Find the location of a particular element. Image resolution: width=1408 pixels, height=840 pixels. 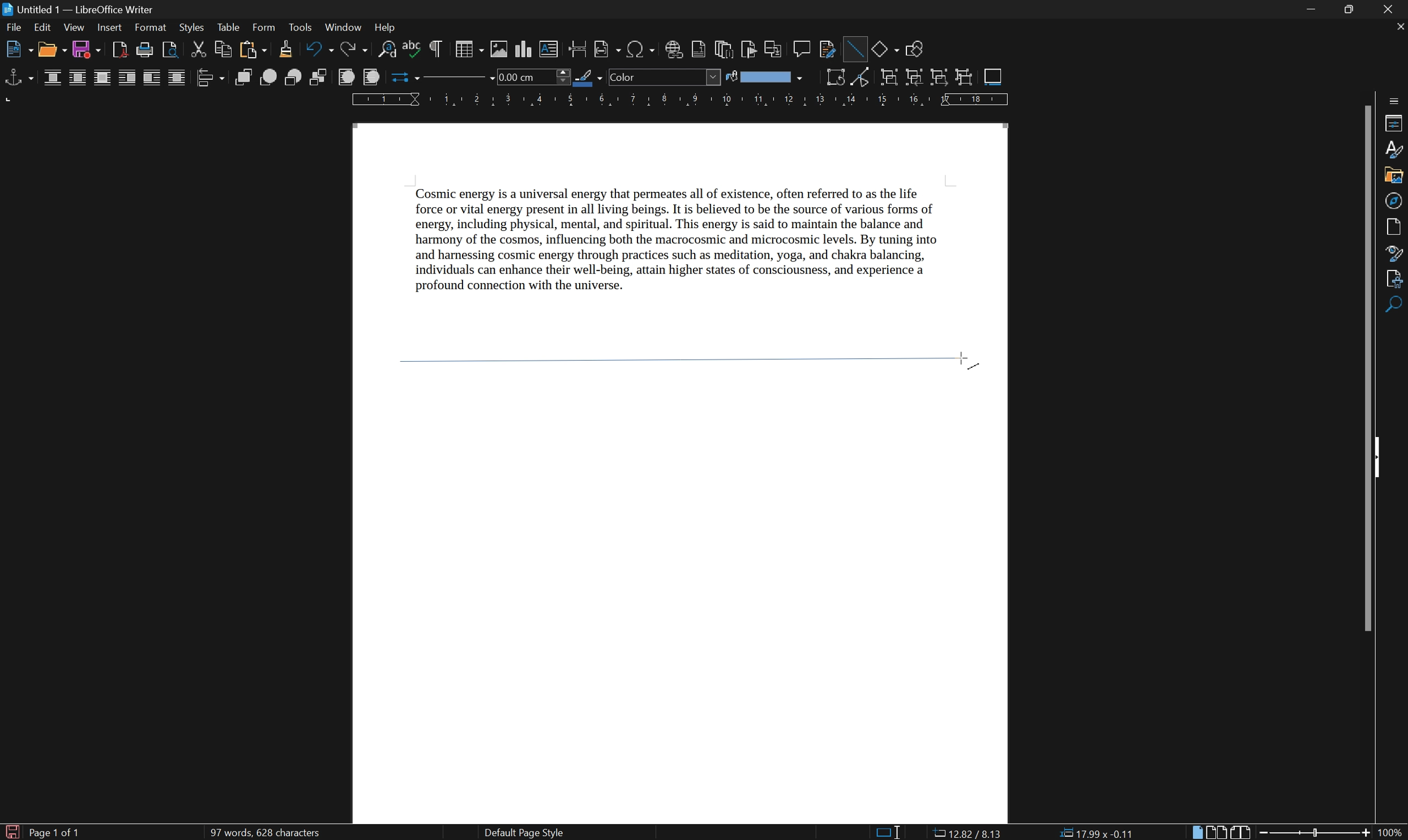

close is located at coordinates (1393, 9).